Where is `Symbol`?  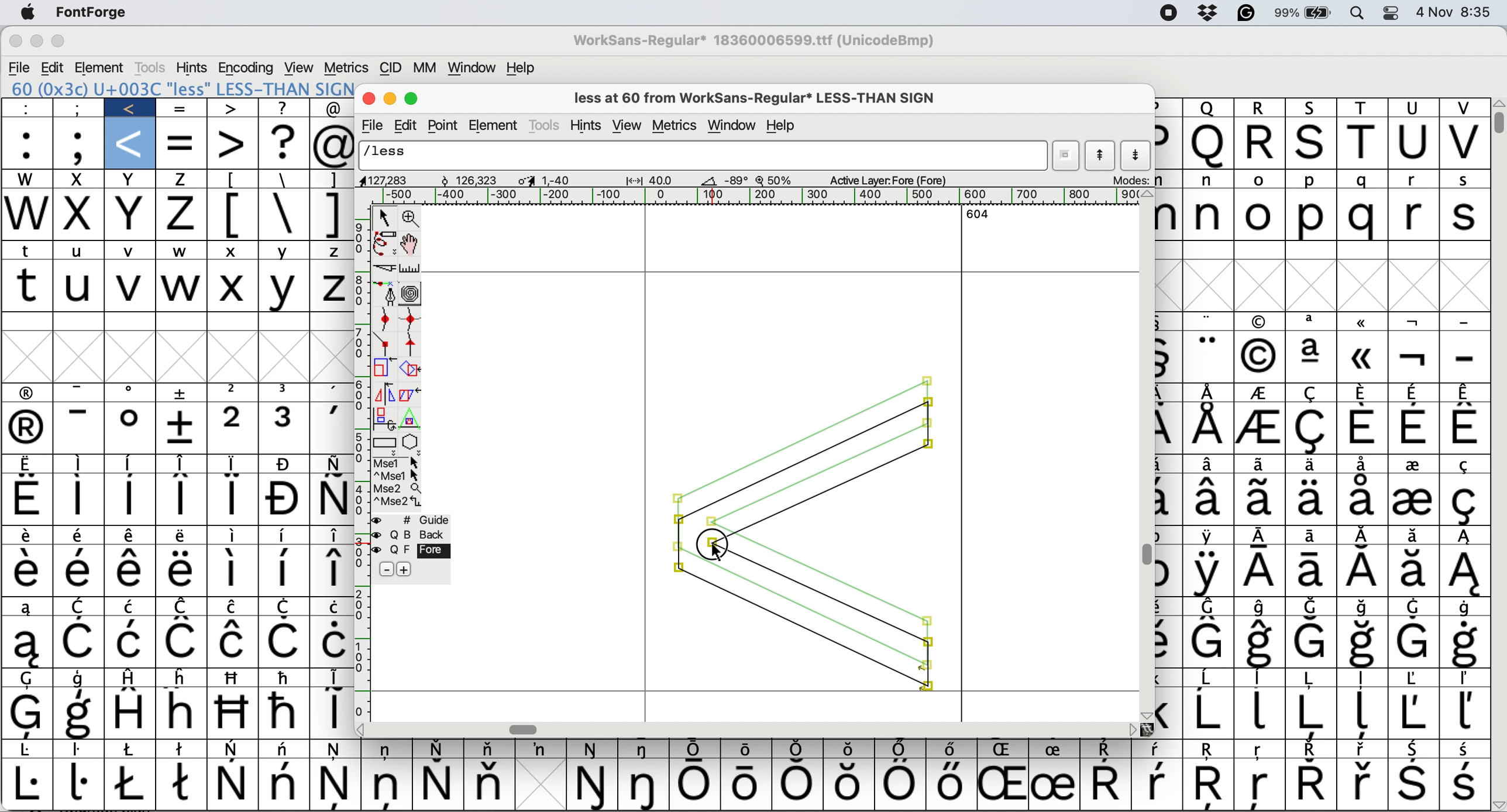
Symbol is located at coordinates (952, 748).